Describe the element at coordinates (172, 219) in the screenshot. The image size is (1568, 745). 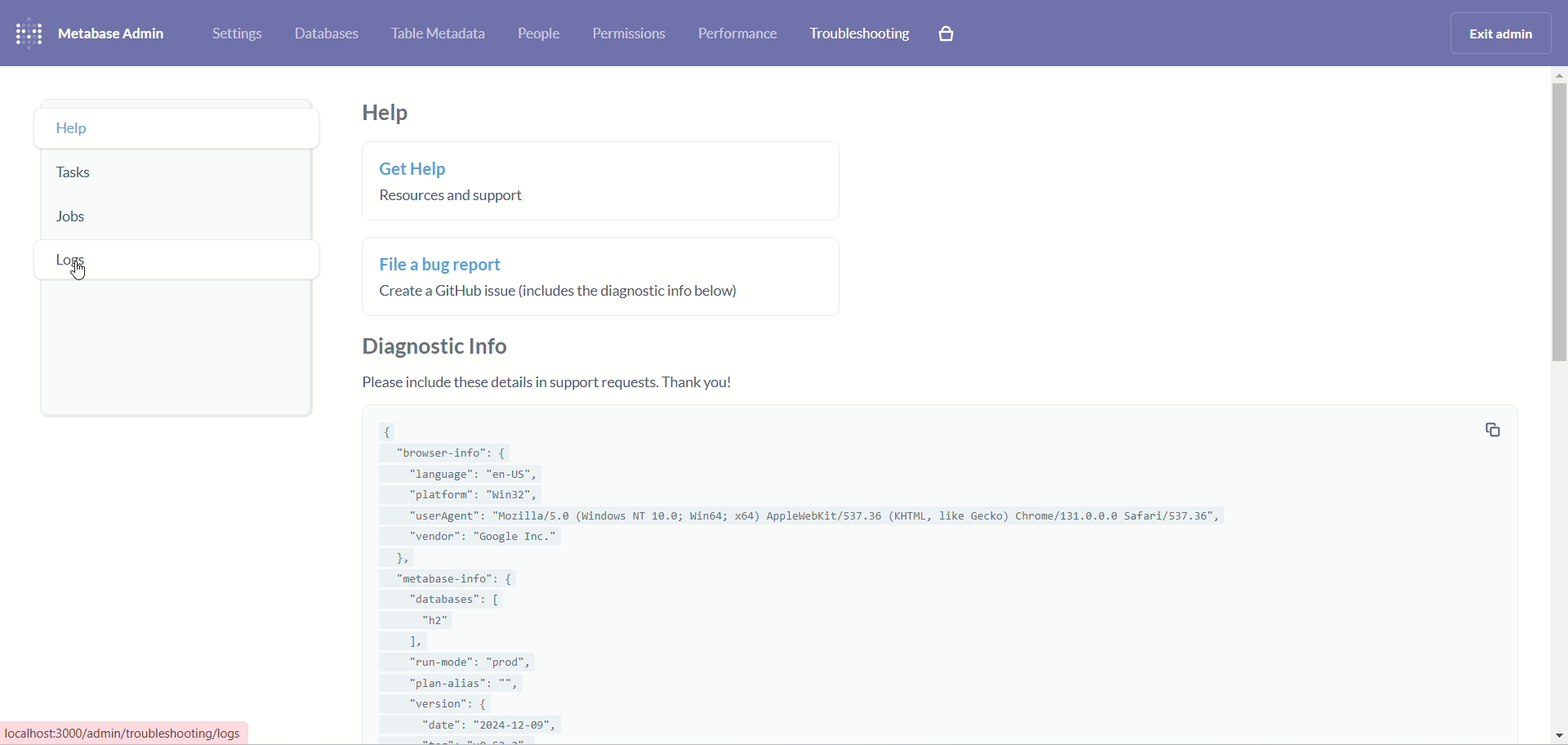
I see `jobs` at that location.